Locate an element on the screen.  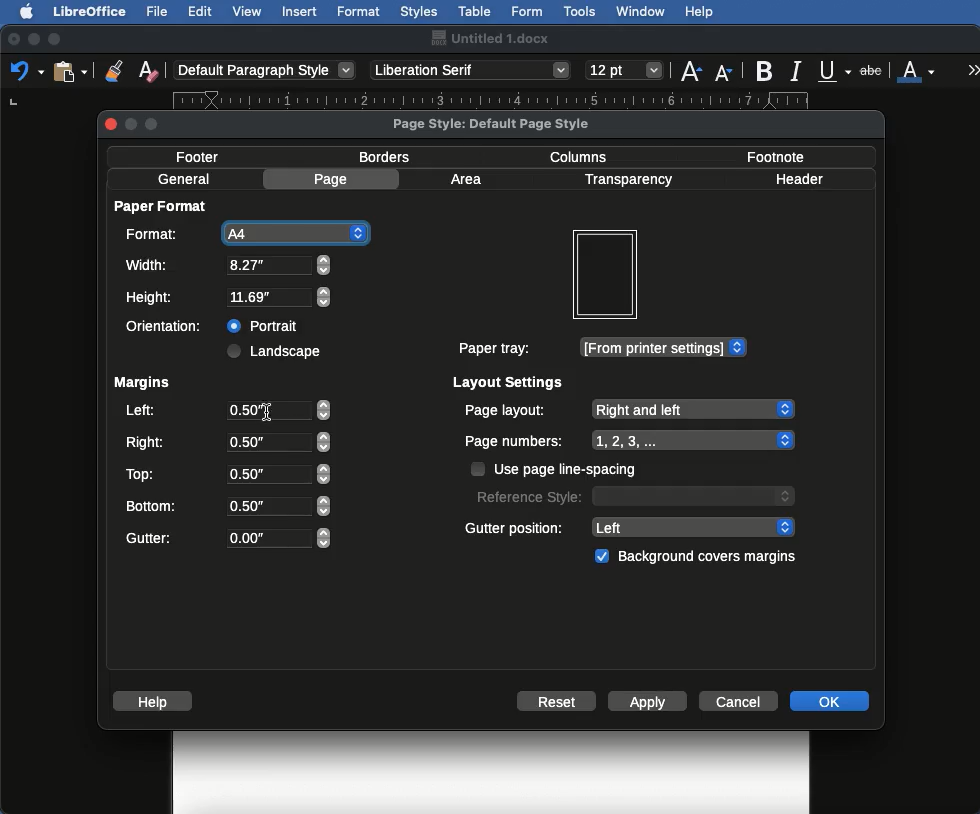
Page layout is located at coordinates (628, 409).